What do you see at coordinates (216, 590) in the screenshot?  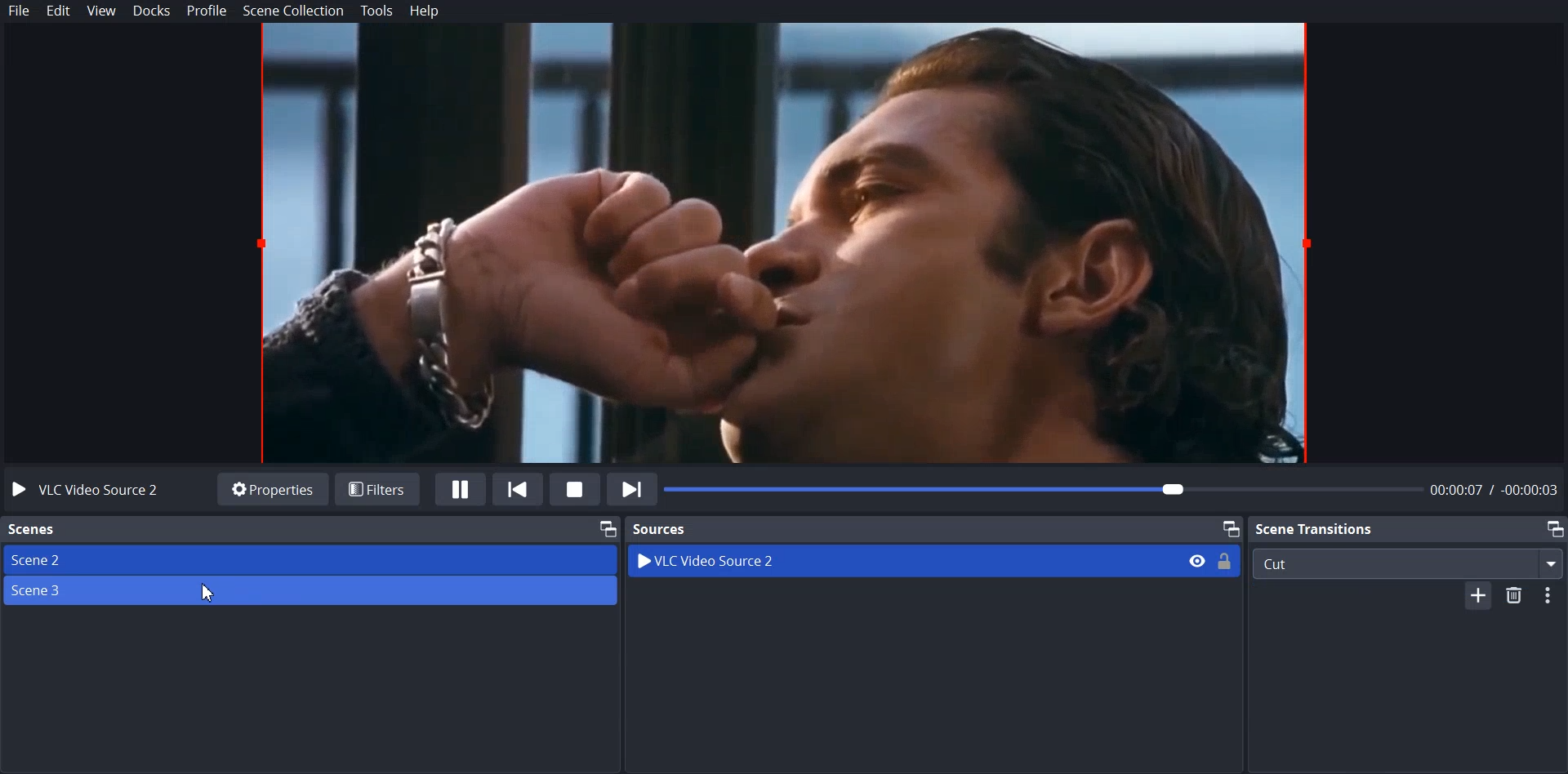 I see `Cursor` at bounding box center [216, 590].